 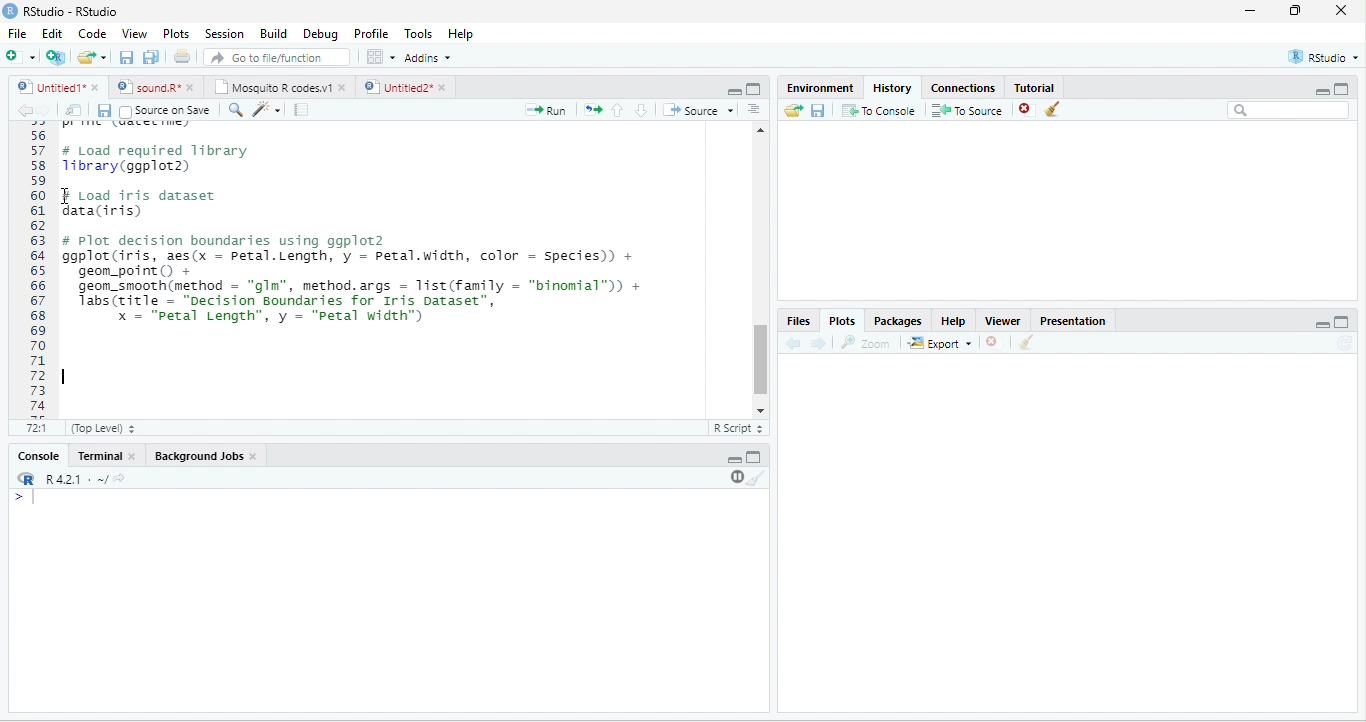 I want to click on forward, so click(x=818, y=344).